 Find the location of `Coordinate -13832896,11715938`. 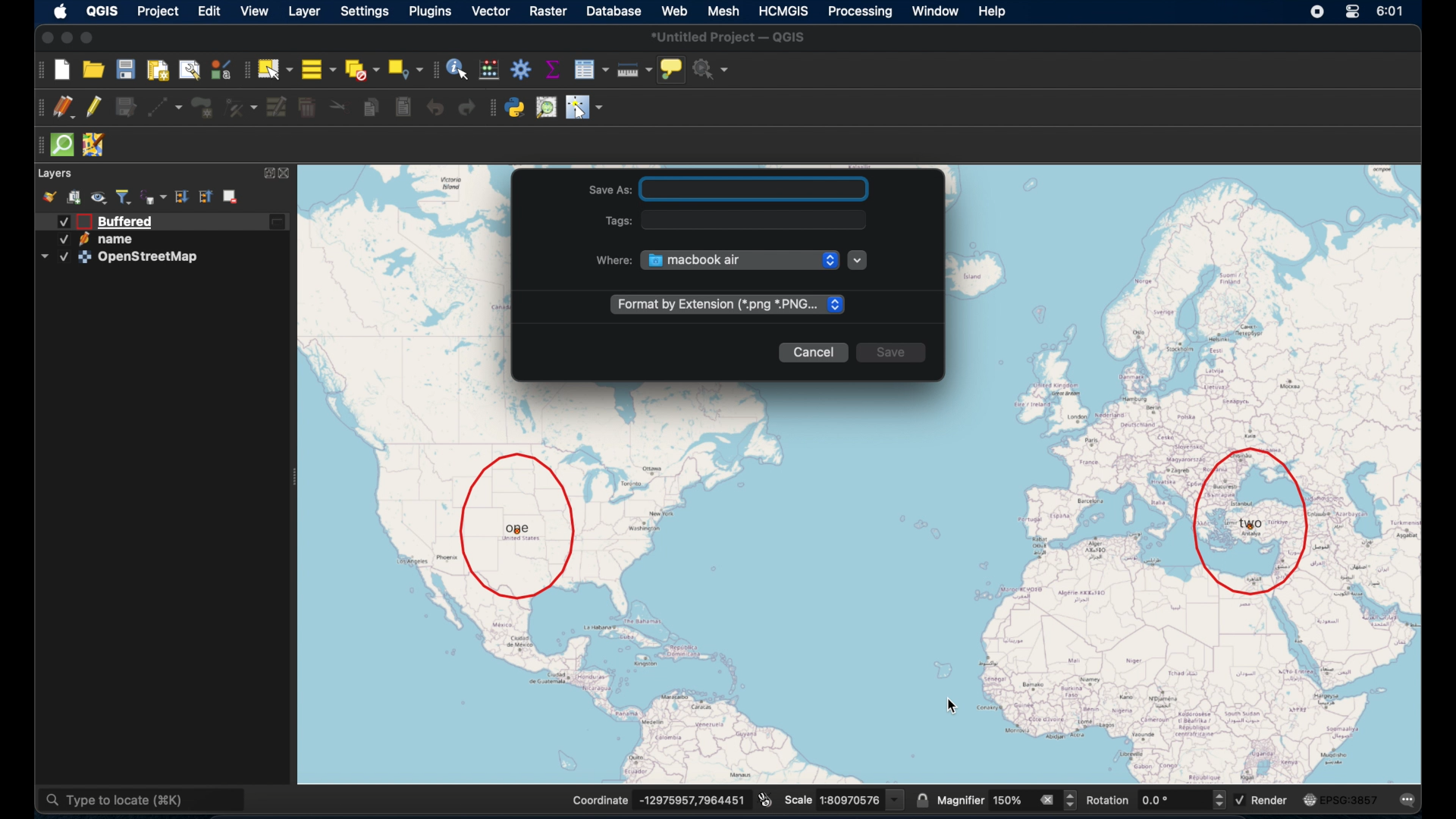

Coordinate -13832896,11715938 is located at coordinates (654, 800).